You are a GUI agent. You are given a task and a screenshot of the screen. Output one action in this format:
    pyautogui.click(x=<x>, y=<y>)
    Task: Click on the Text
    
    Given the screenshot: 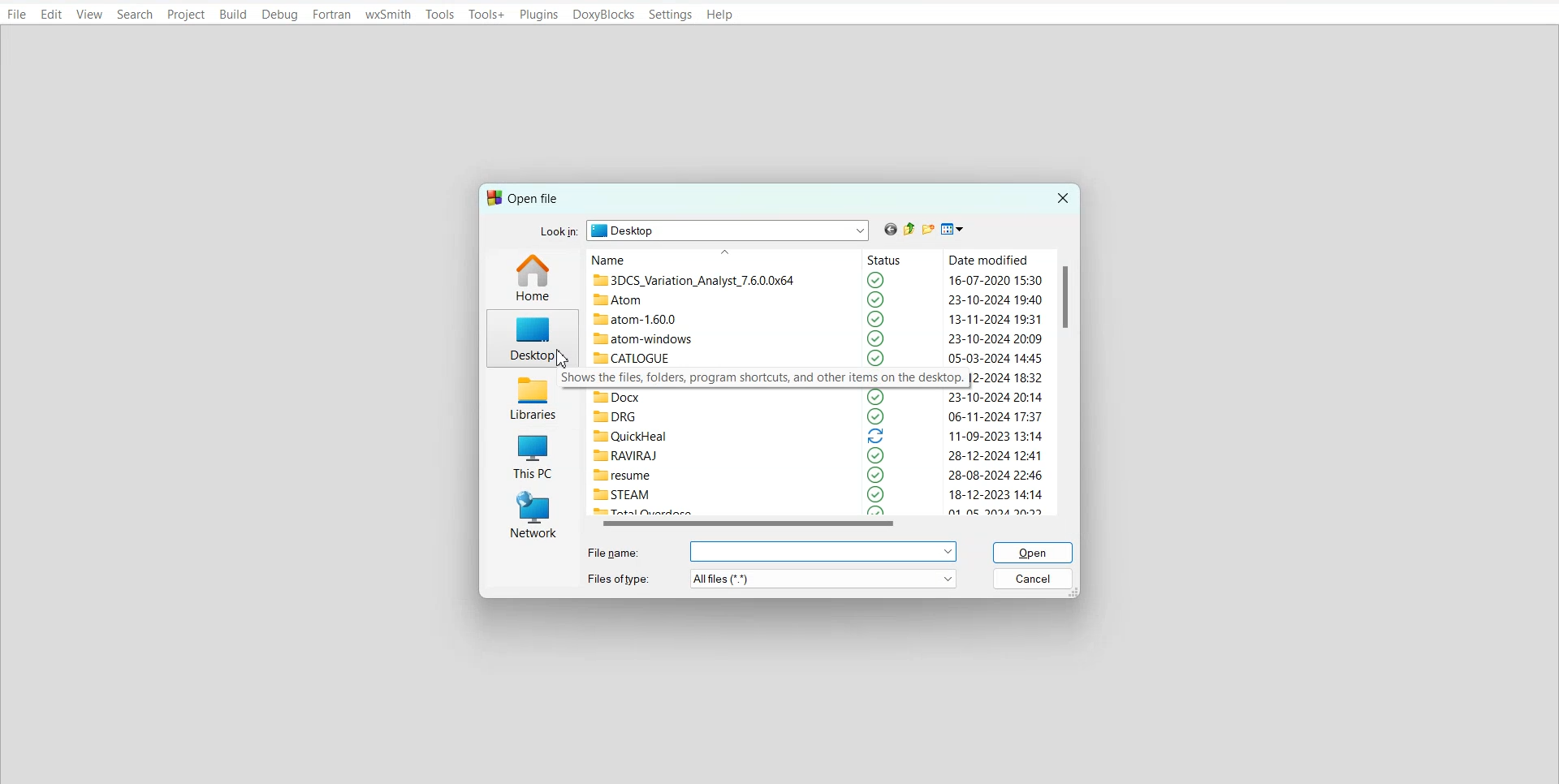 What is the action you would take?
    pyautogui.click(x=525, y=198)
    